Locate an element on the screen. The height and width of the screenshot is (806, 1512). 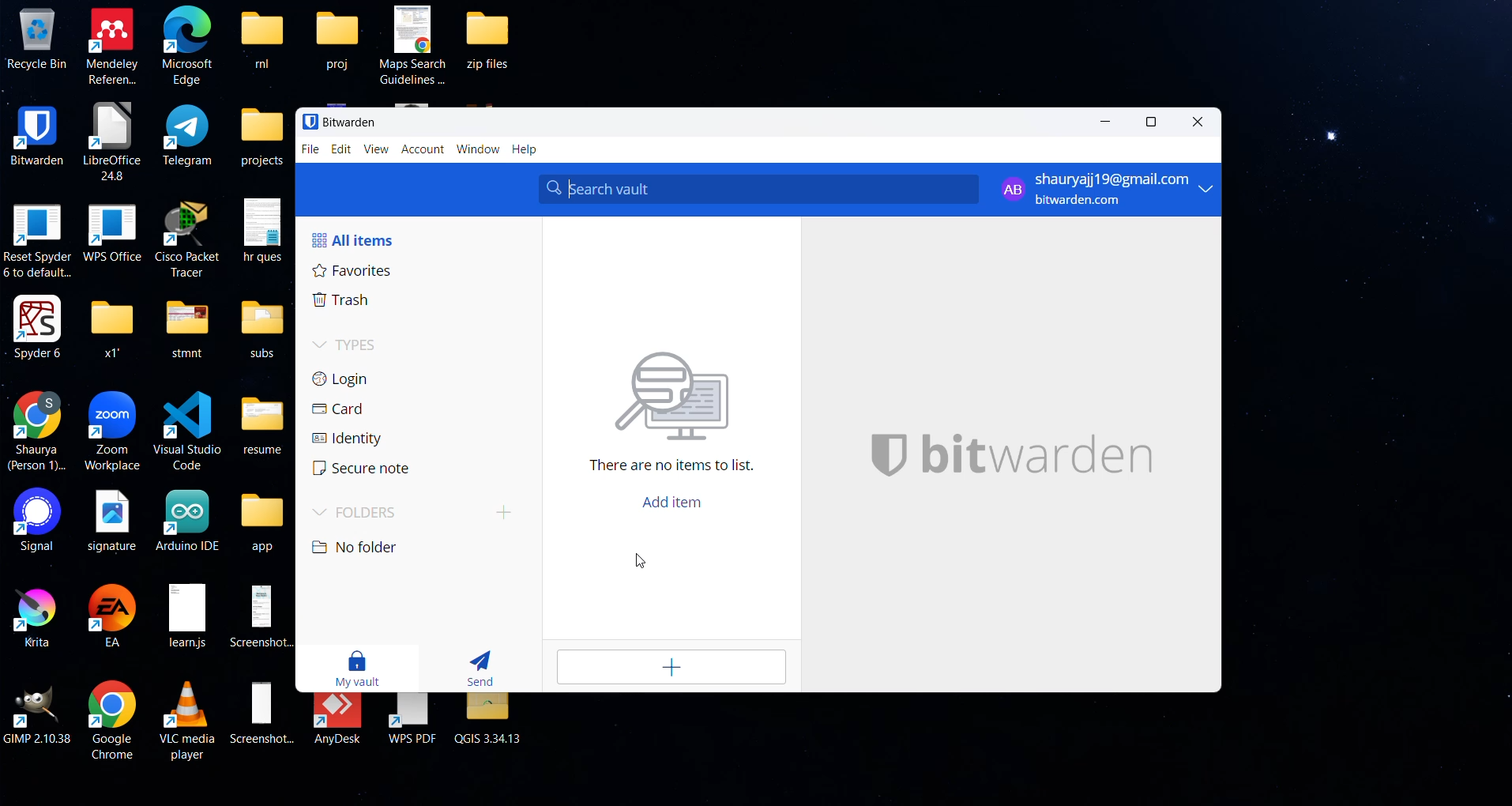
help is located at coordinates (527, 151).